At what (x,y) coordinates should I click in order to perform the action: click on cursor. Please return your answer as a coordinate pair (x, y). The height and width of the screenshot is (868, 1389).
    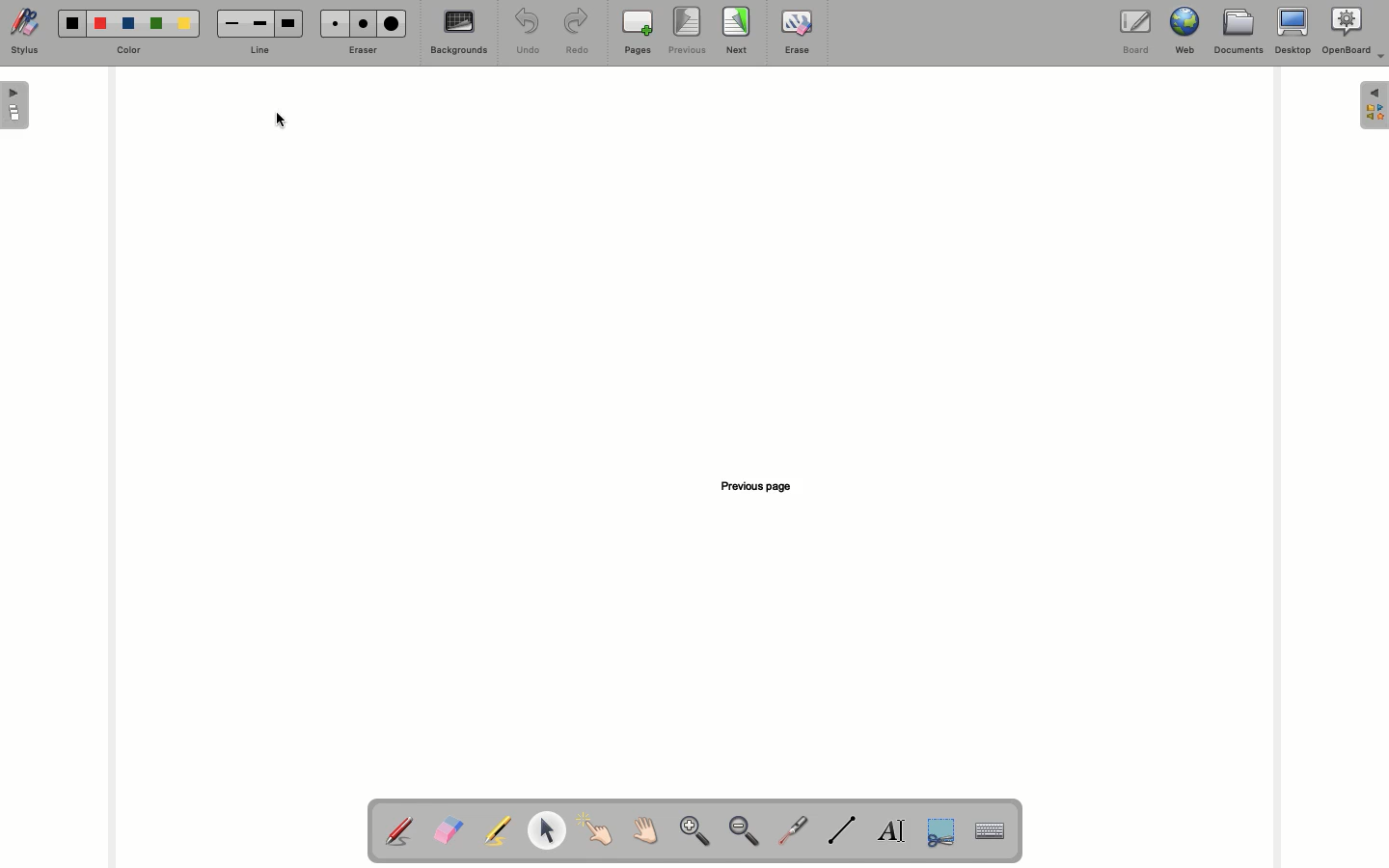
    Looking at the image, I should click on (279, 122).